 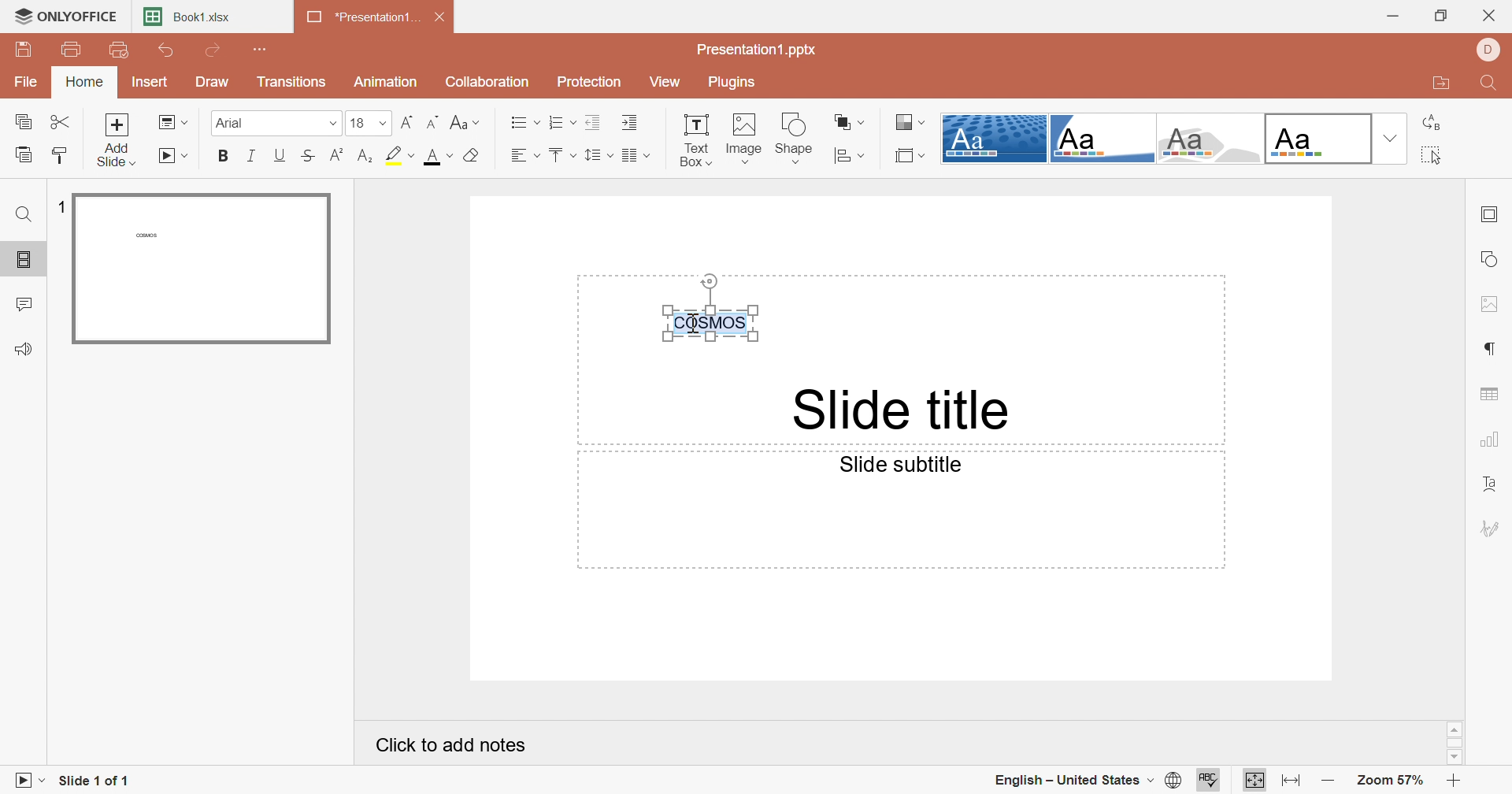 I want to click on Line spacing, so click(x=595, y=155).